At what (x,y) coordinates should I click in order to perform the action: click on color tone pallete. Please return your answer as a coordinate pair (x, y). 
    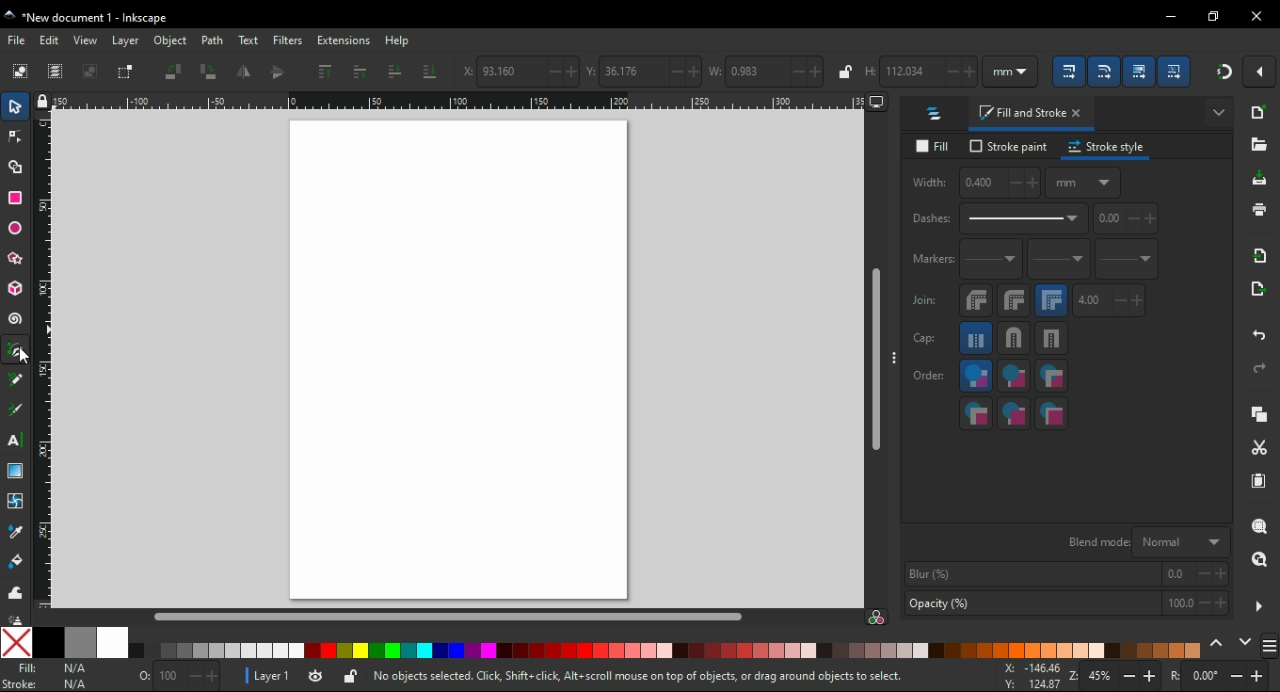
    Looking at the image, I should click on (1166, 649).